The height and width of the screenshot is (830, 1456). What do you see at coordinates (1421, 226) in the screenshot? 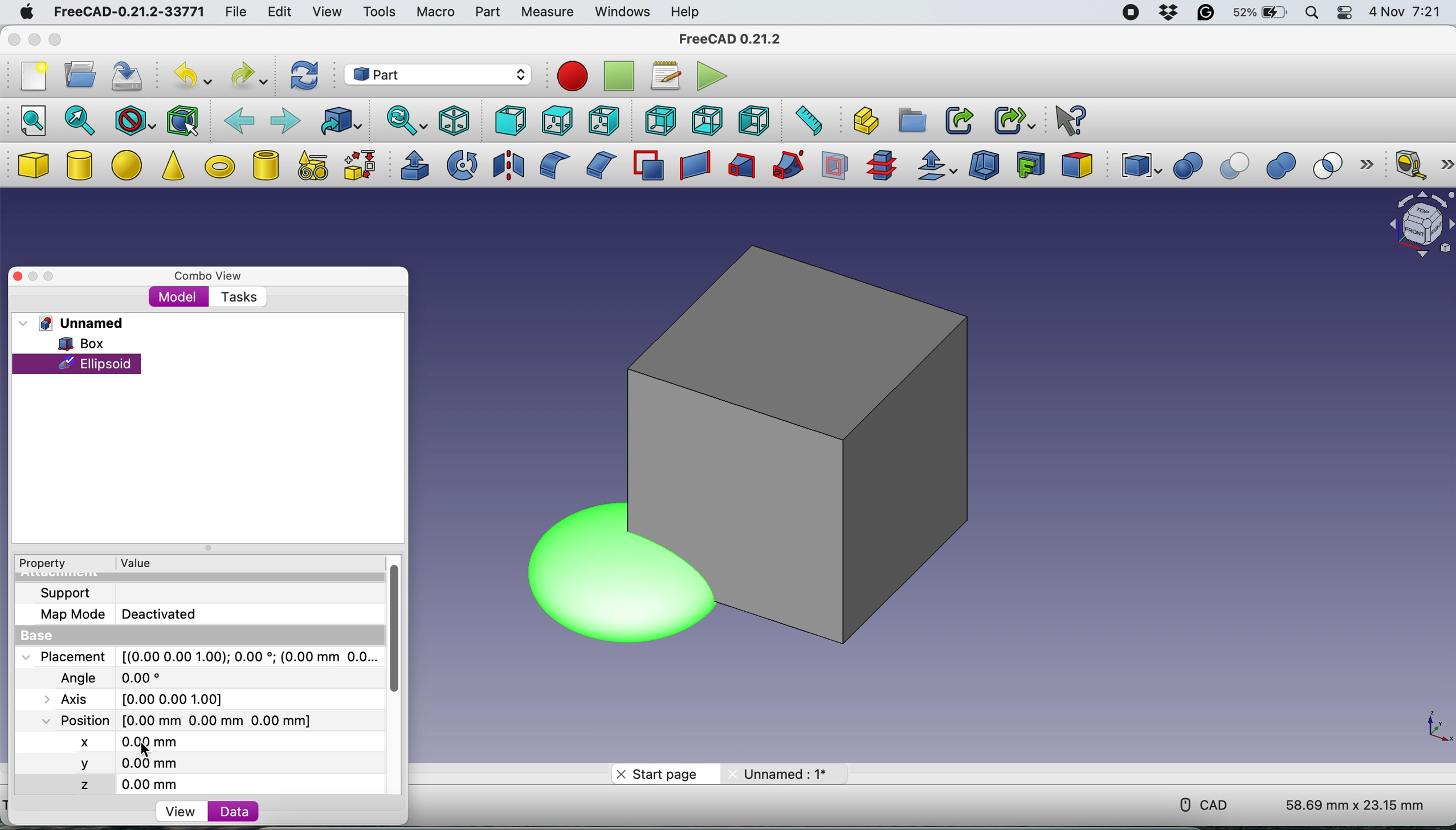
I see `object interface` at bounding box center [1421, 226].